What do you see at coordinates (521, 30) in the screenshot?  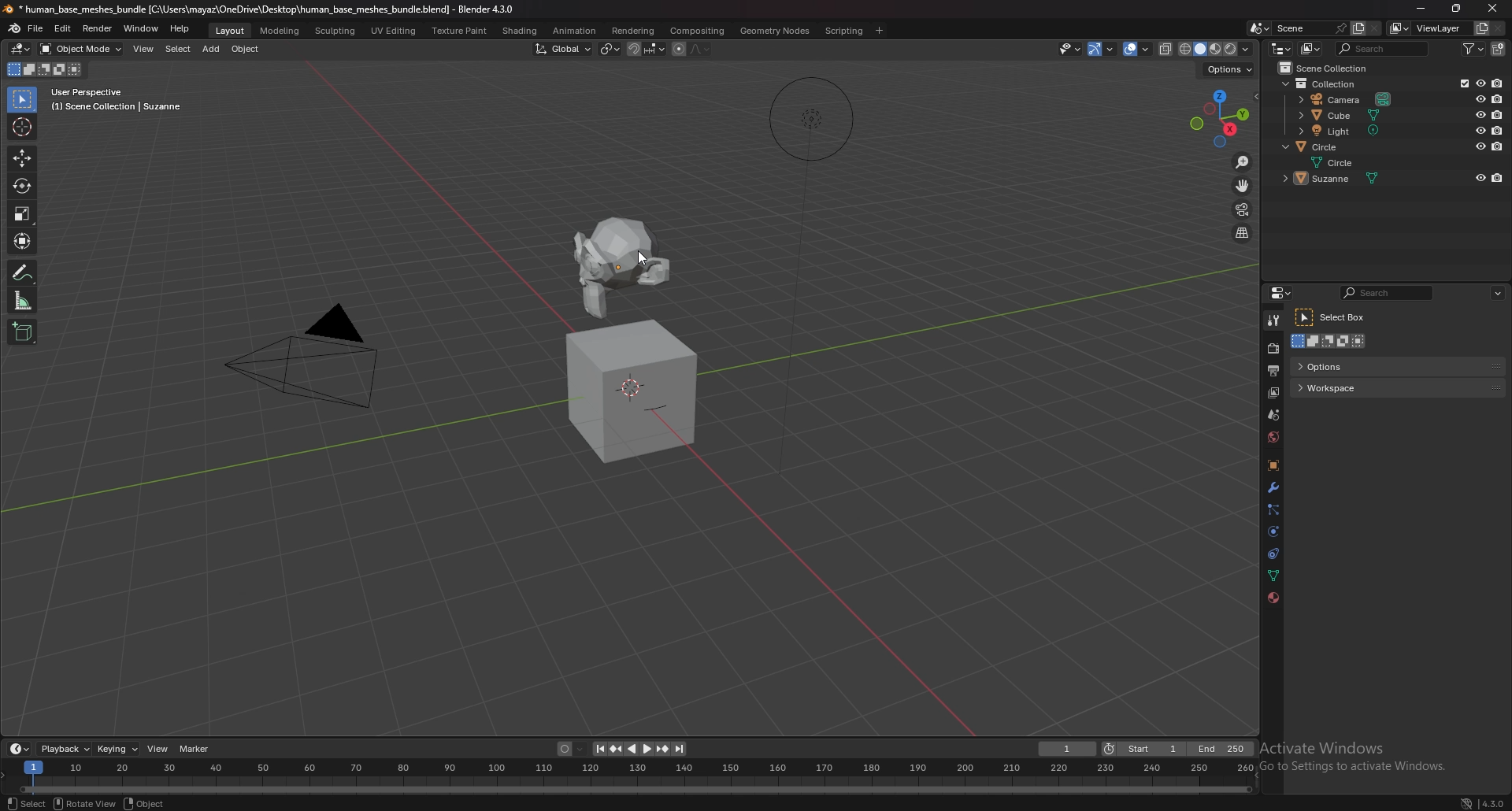 I see `shading` at bounding box center [521, 30].